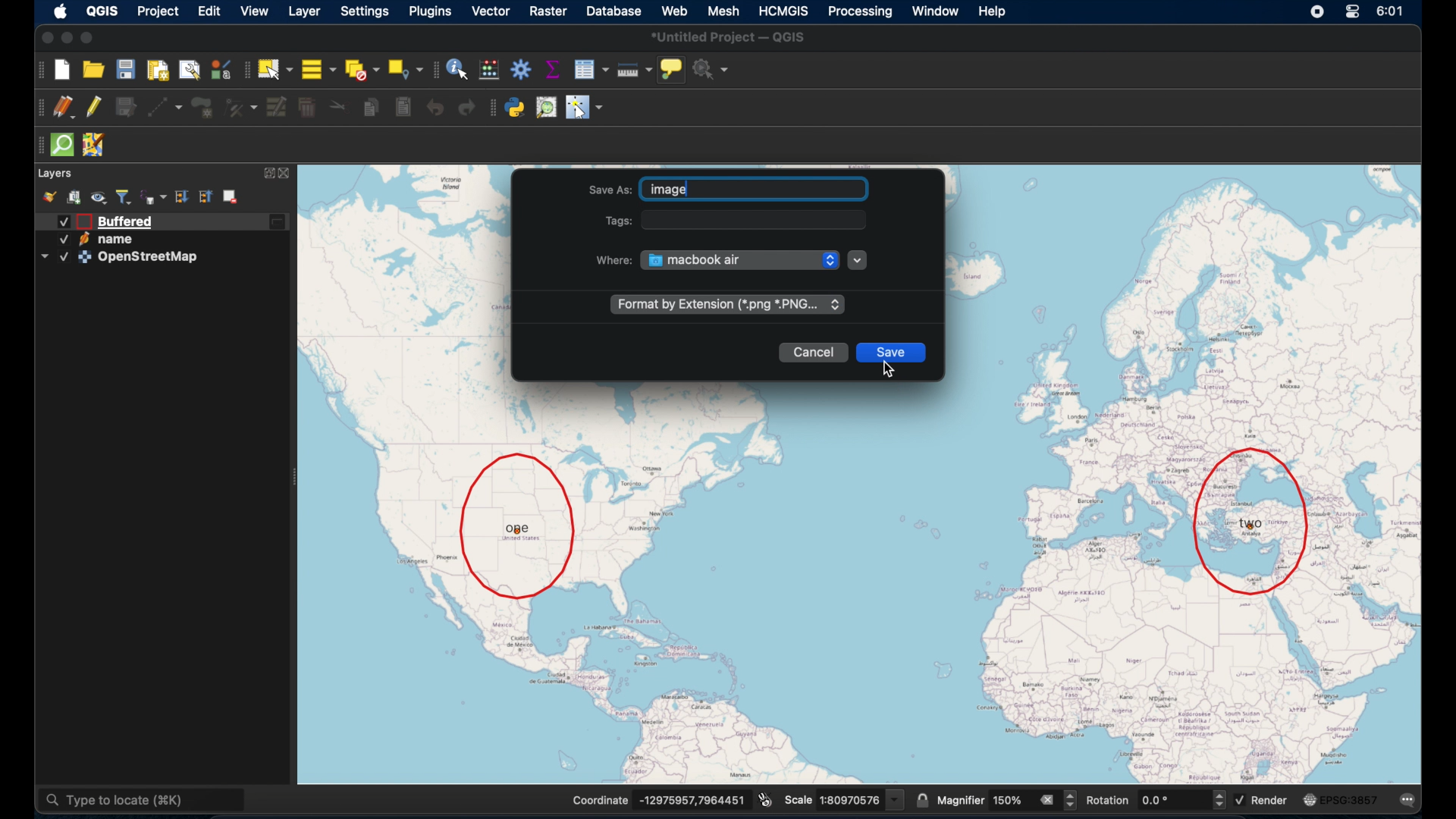 This screenshot has width=1456, height=819. I want to click on minimize , so click(67, 36).